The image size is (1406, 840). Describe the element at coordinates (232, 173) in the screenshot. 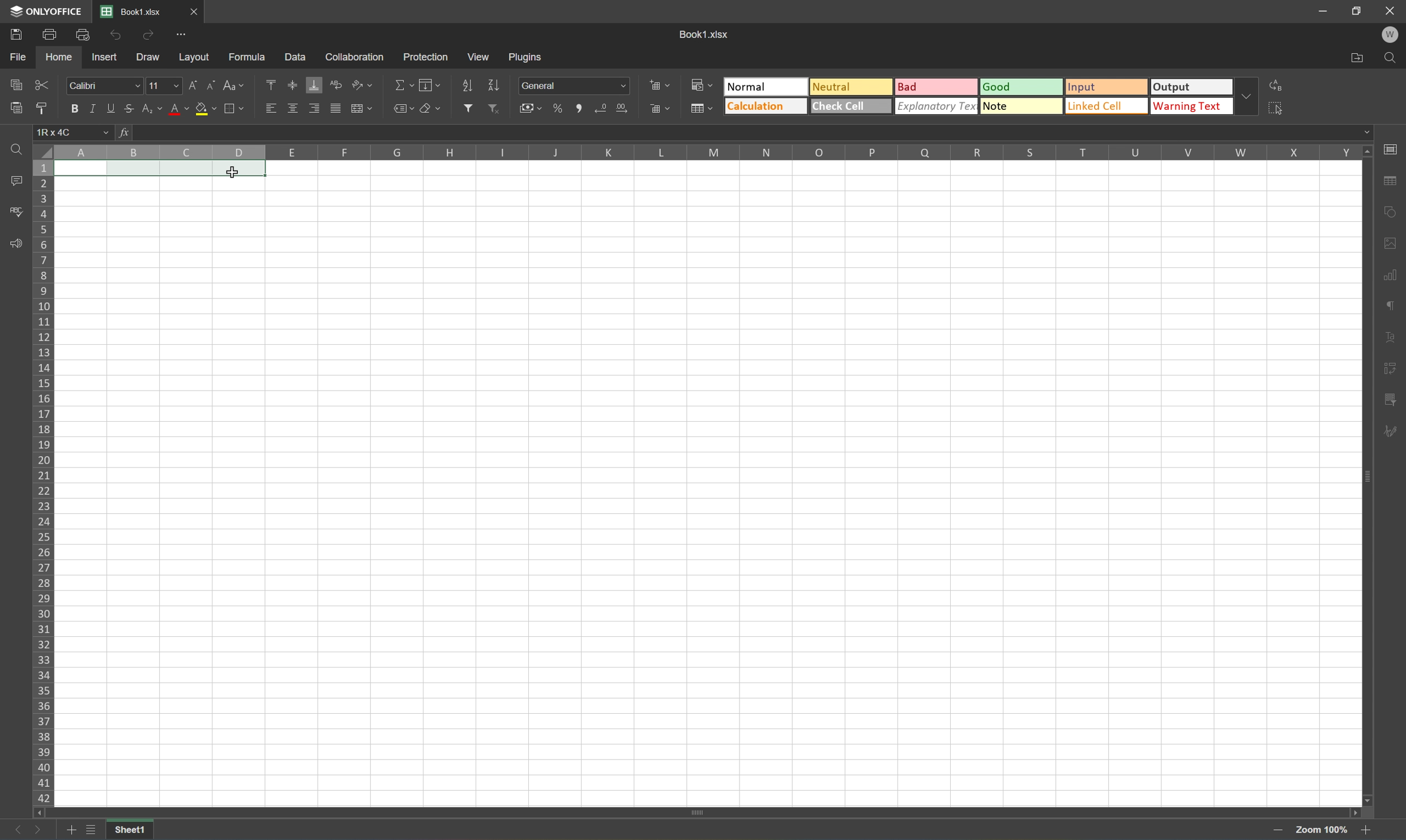

I see `Cursor` at that location.